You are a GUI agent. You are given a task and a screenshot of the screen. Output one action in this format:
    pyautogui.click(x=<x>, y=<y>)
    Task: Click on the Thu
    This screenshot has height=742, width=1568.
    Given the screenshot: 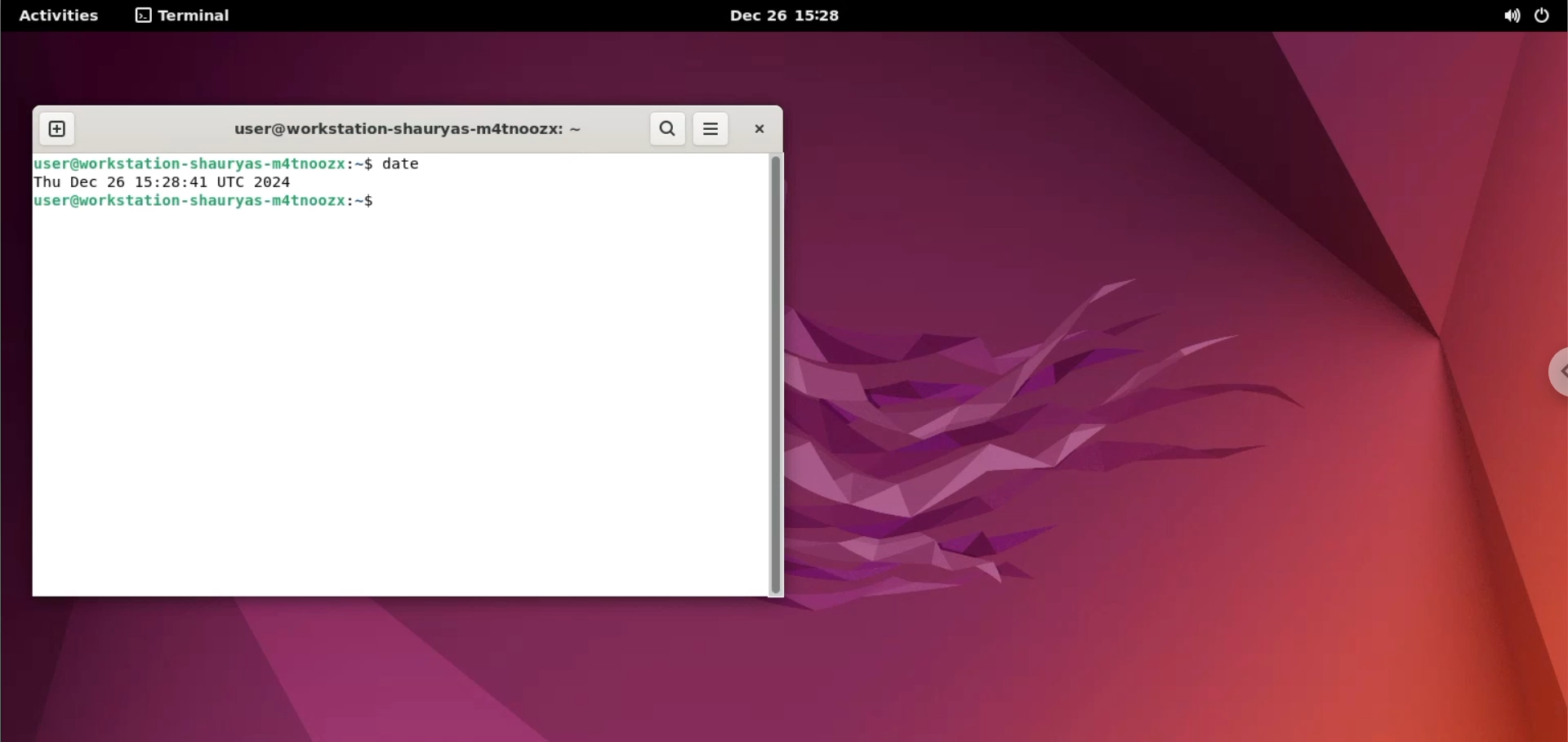 What is the action you would take?
    pyautogui.click(x=50, y=183)
    